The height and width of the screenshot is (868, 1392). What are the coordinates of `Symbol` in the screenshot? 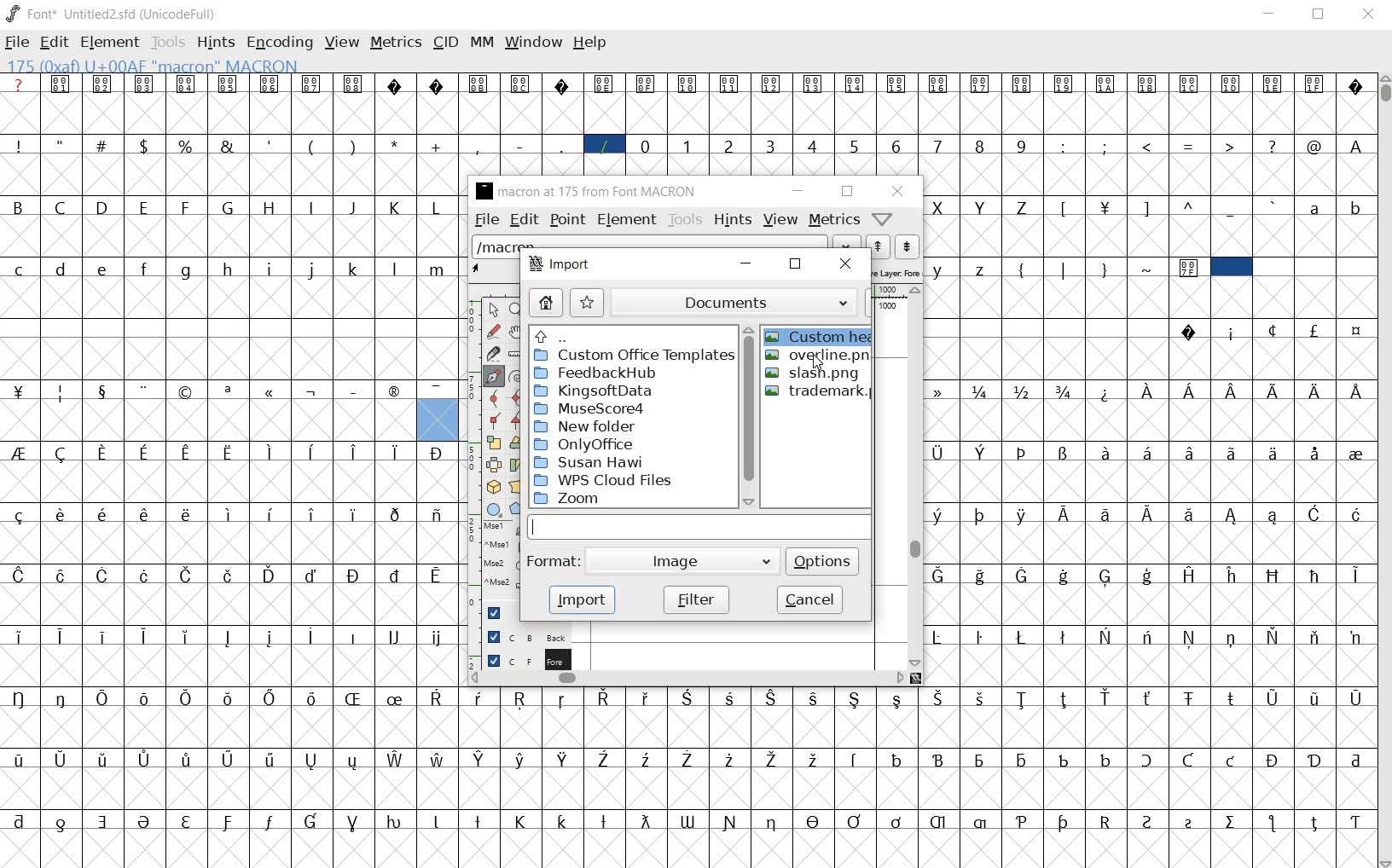 It's located at (59, 759).